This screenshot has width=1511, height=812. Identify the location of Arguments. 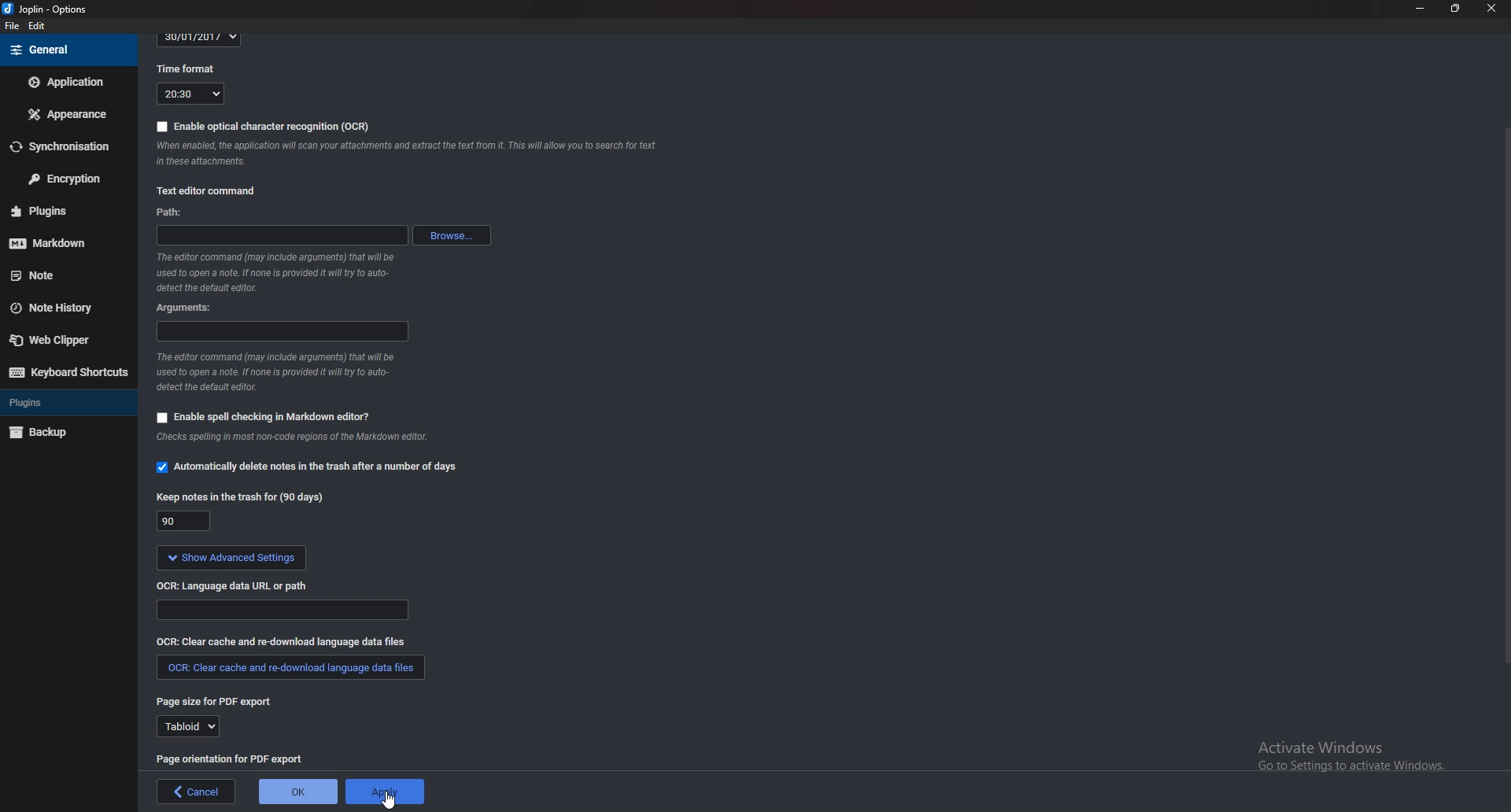
(280, 330).